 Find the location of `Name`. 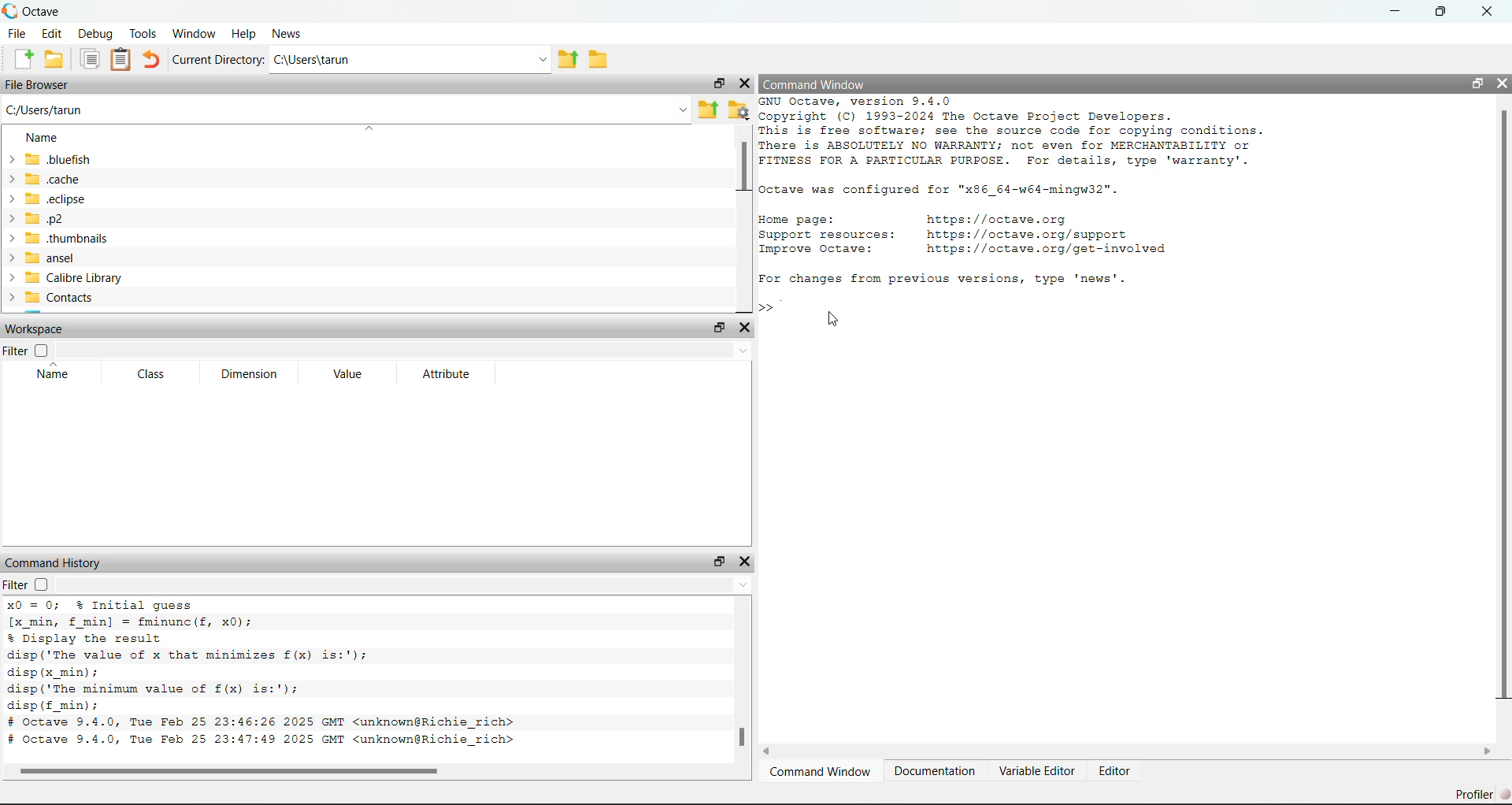

Name is located at coordinates (48, 374).